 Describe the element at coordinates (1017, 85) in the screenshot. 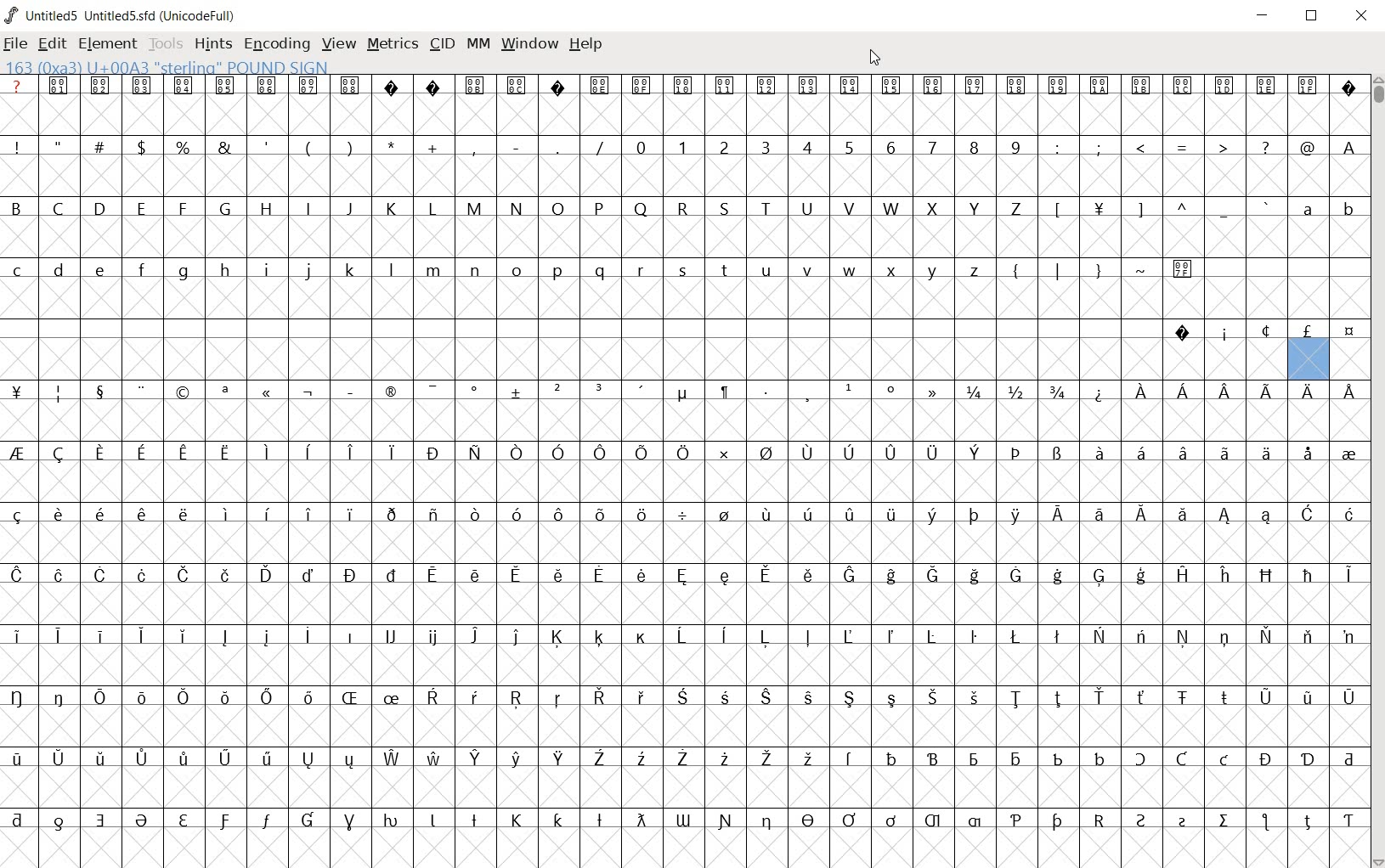

I see `Symbol` at that location.